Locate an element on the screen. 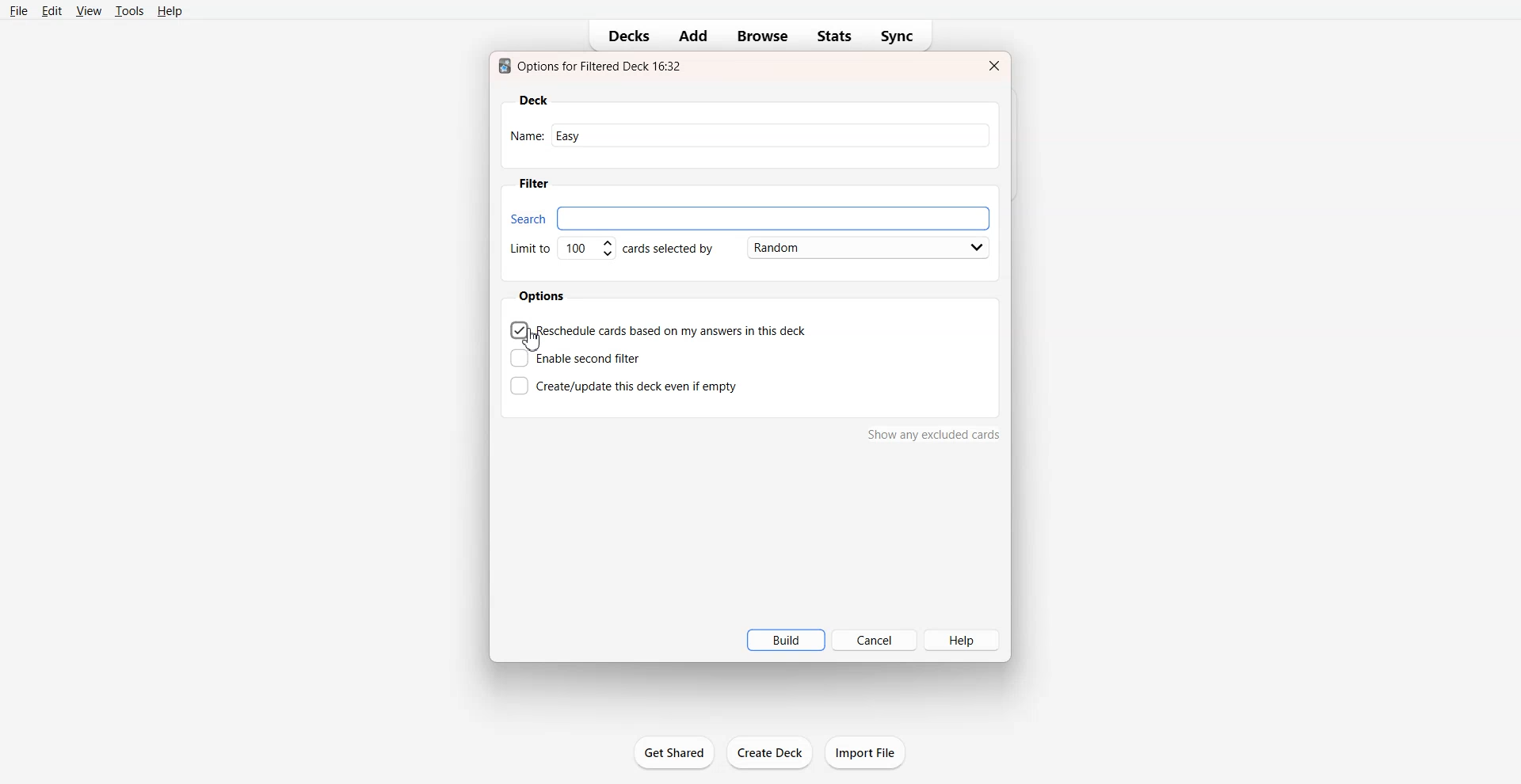 This screenshot has height=784, width=1521. Deck is located at coordinates (534, 101).